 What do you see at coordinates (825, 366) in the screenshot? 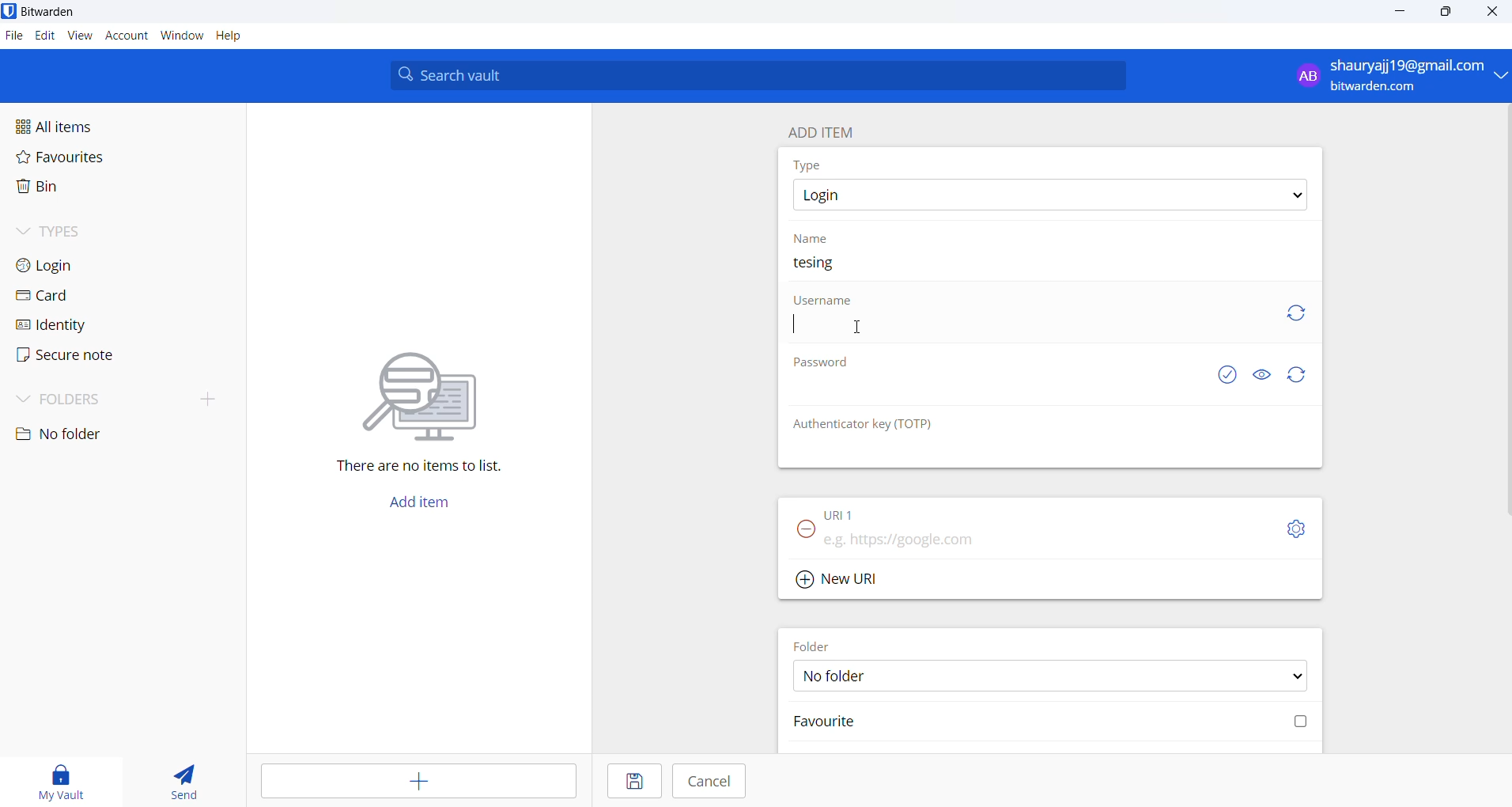
I see `Password ` at bounding box center [825, 366].